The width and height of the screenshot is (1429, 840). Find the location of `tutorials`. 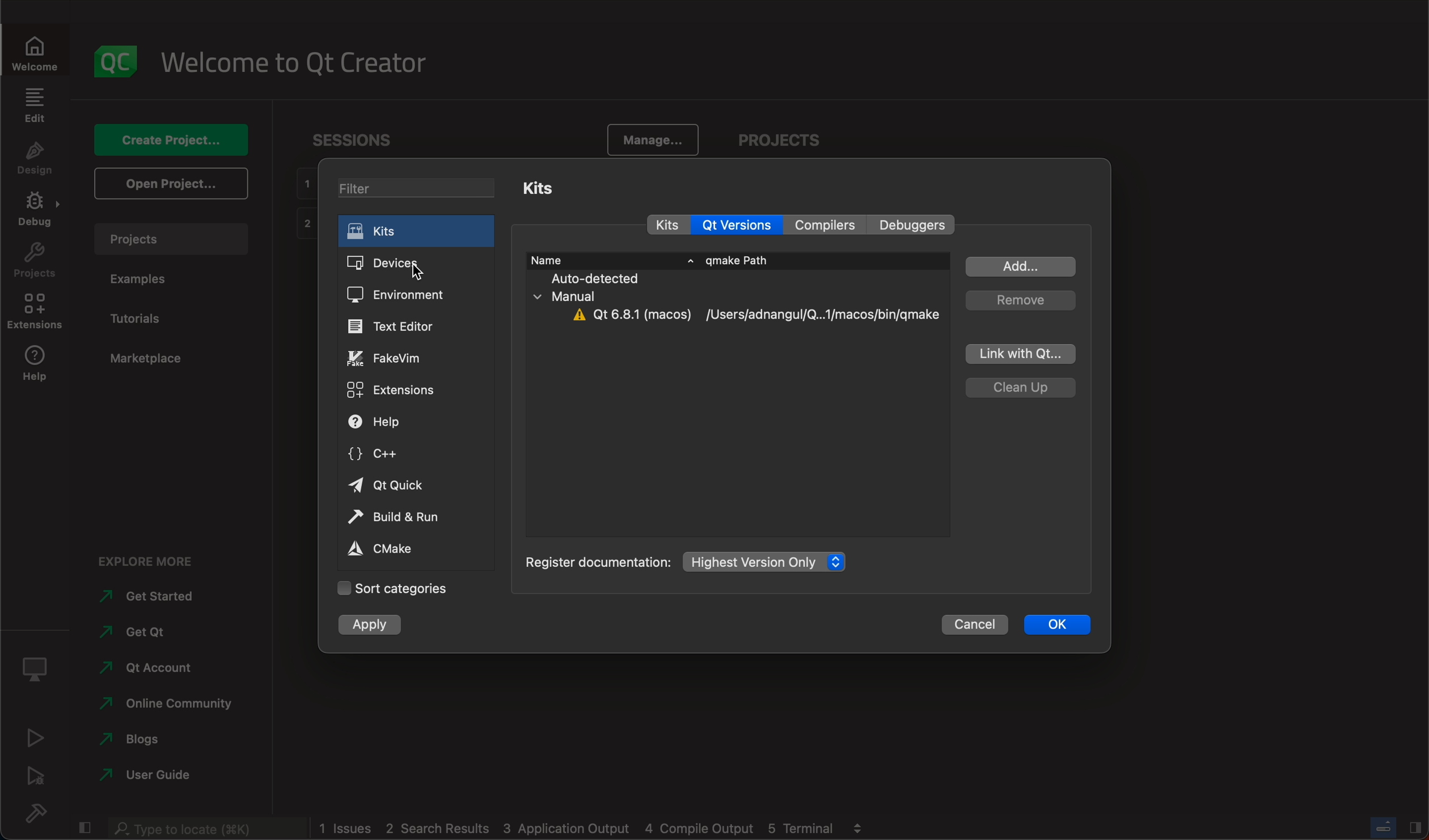

tutorials is located at coordinates (146, 315).